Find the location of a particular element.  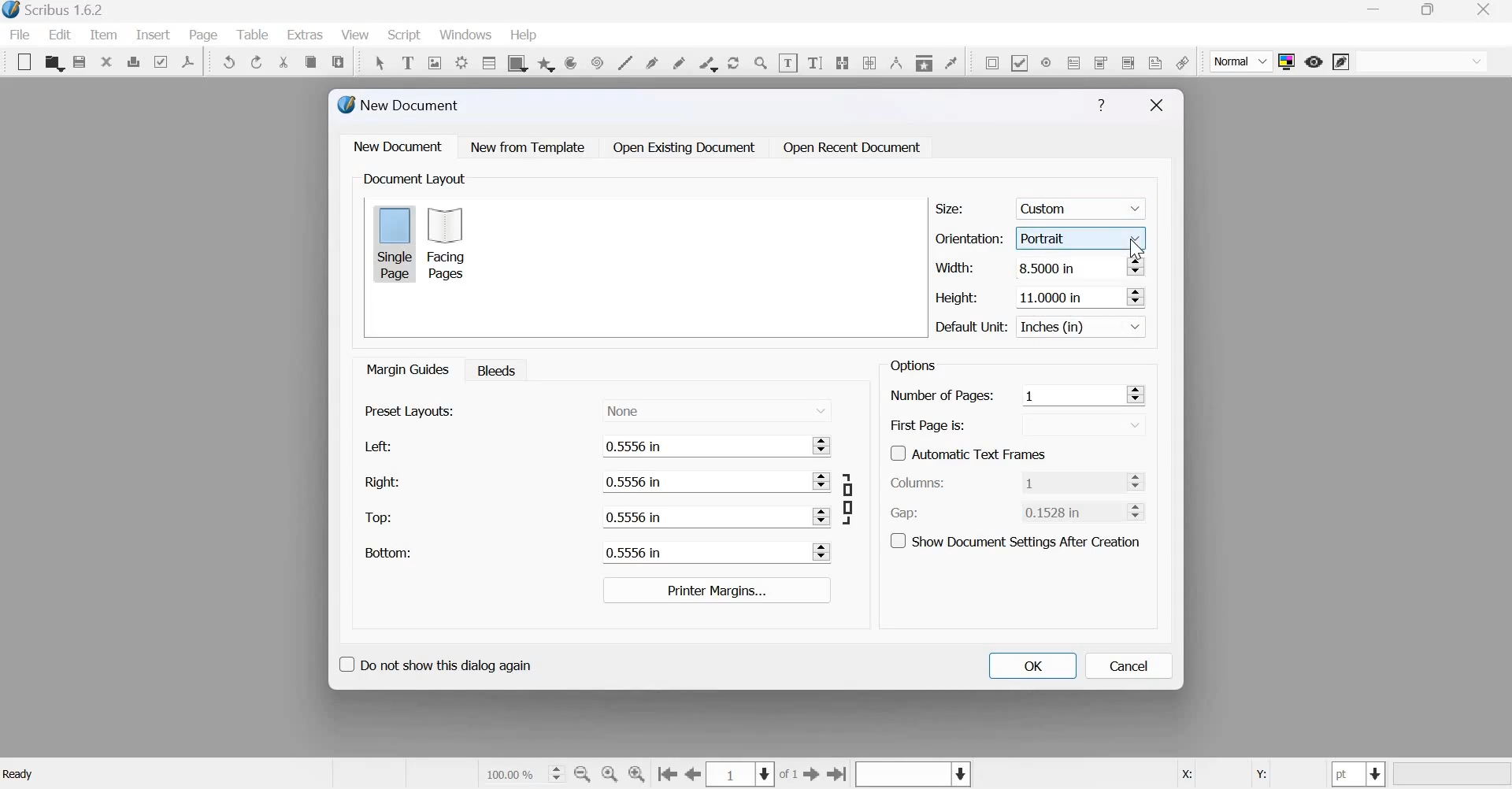

Increase and Decrease is located at coordinates (821, 552).